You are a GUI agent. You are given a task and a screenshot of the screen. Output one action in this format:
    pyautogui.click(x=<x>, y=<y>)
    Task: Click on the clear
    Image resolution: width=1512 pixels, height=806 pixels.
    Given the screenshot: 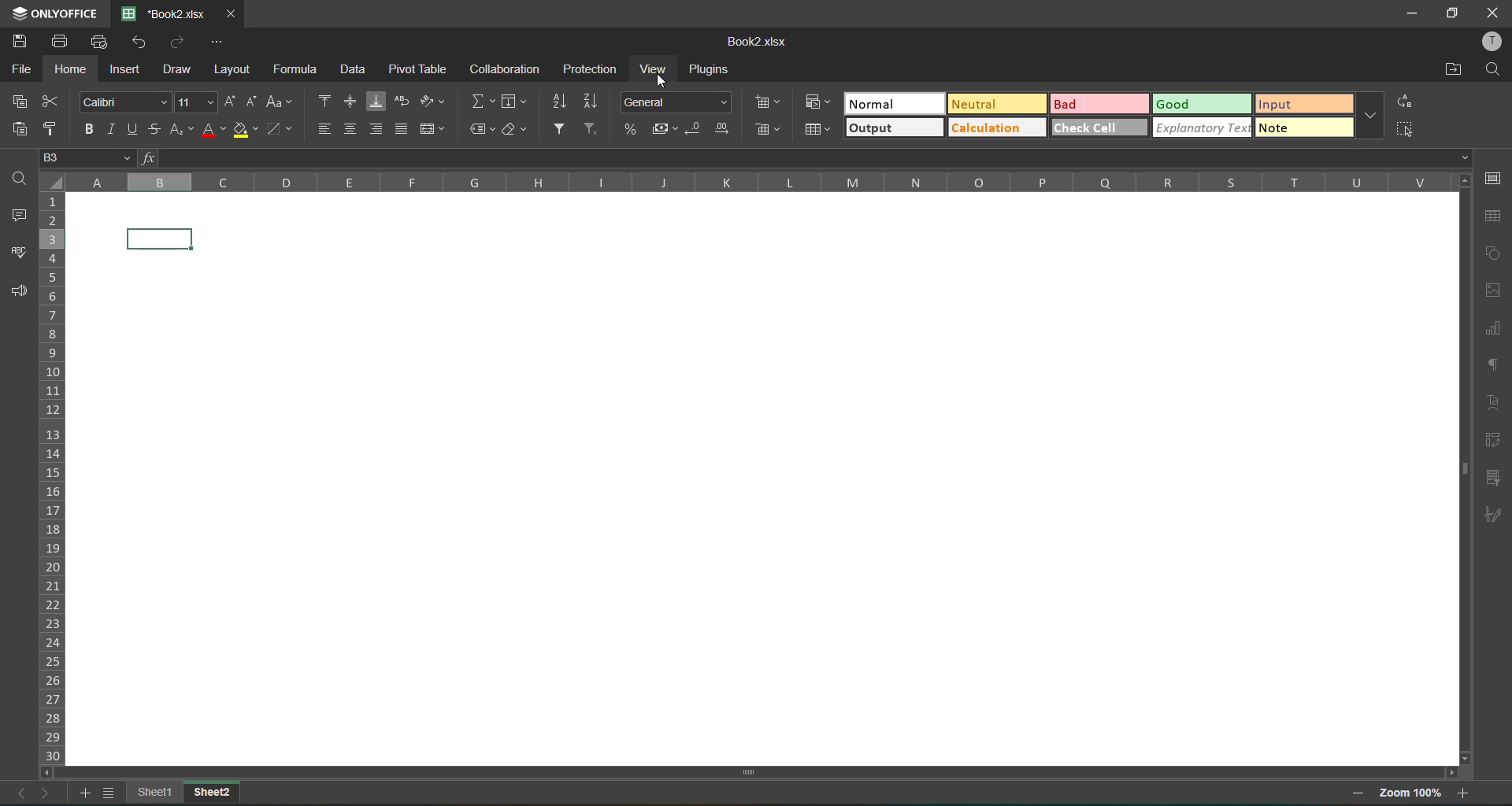 What is the action you would take?
    pyautogui.click(x=513, y=132)
    